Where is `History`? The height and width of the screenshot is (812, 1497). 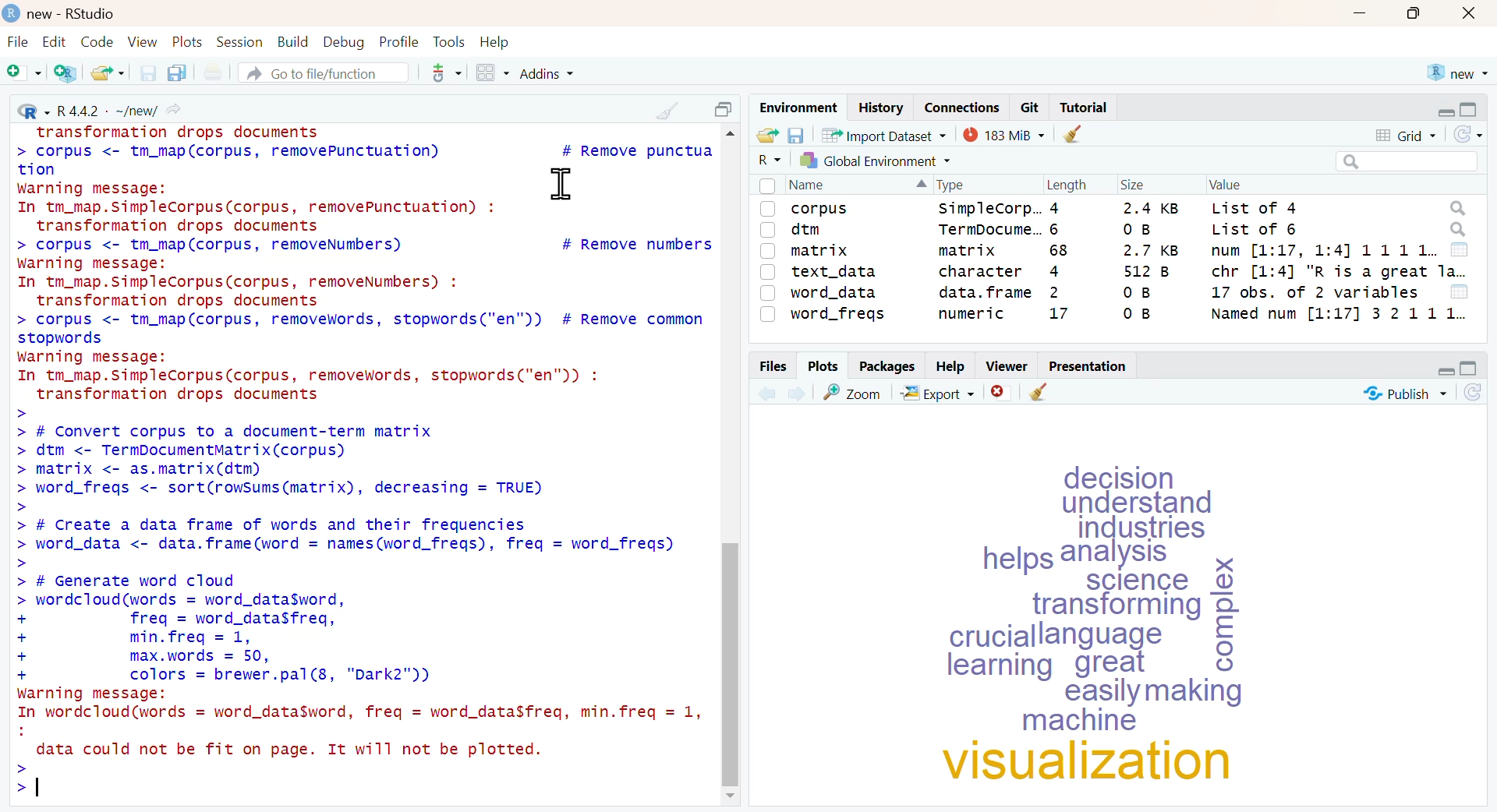
History is located at coordinates (879, 108).